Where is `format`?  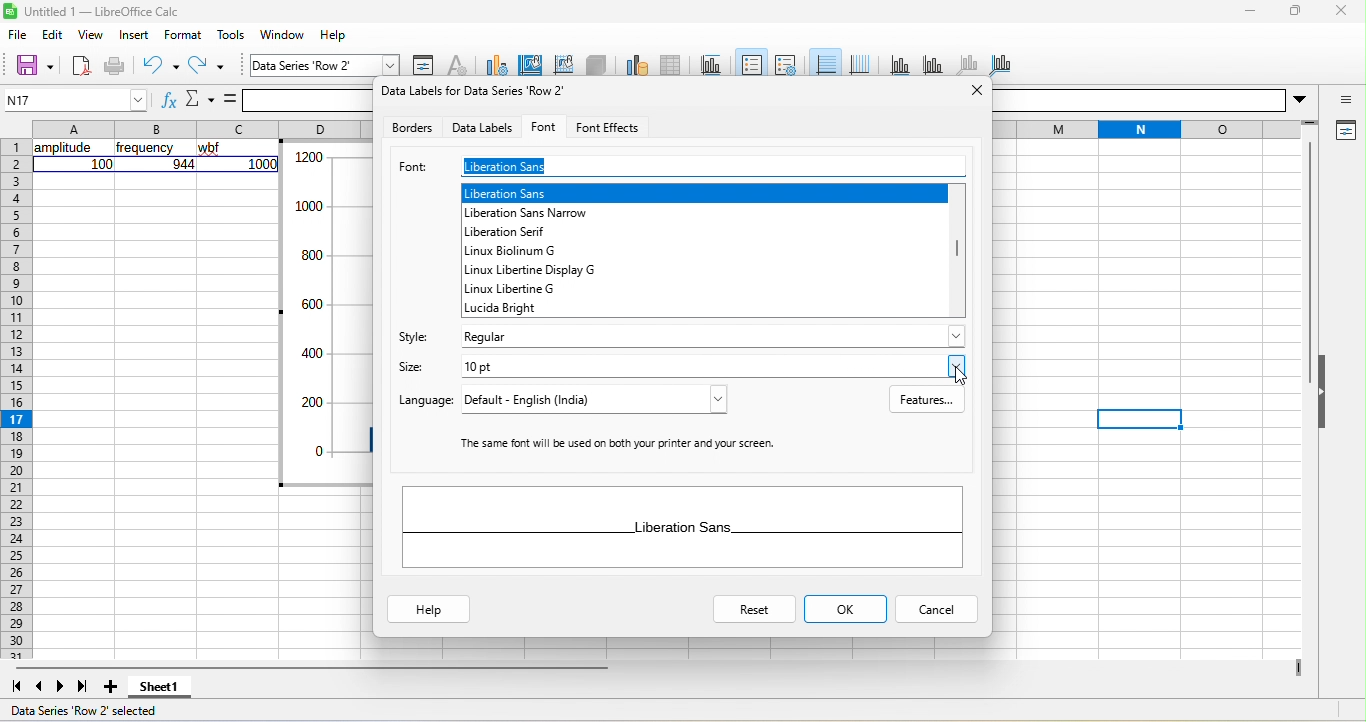
format is located at coordinates (181, 35).